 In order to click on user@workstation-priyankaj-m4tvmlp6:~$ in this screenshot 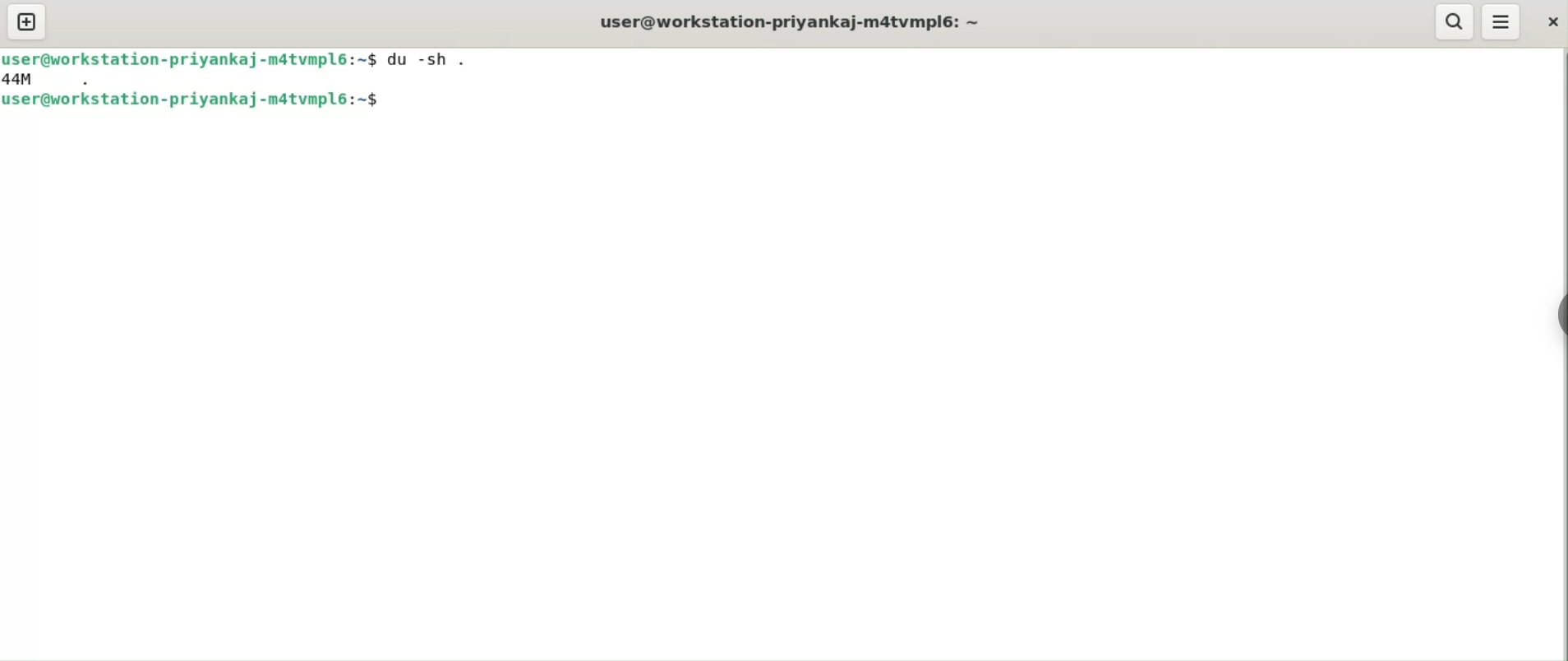, I will do `click(191, 61)`.